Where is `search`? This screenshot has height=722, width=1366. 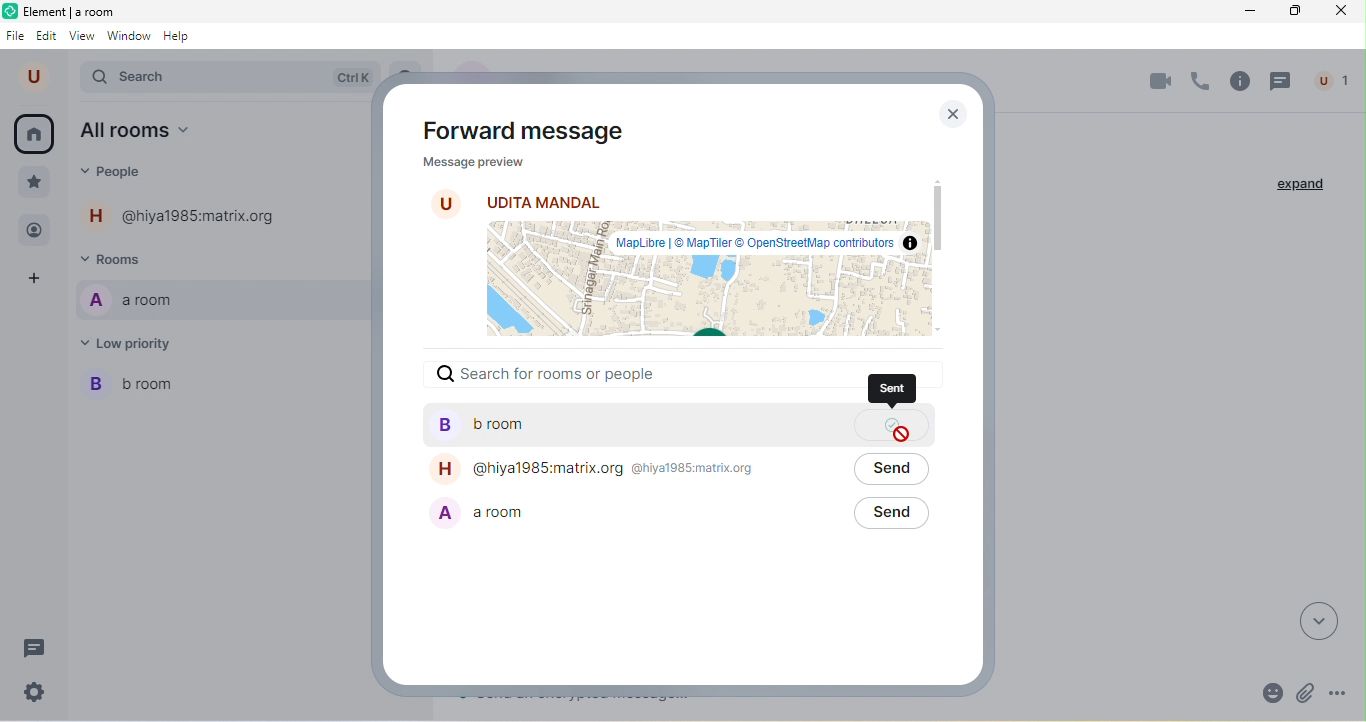 search is located at coordinates (217, 79).